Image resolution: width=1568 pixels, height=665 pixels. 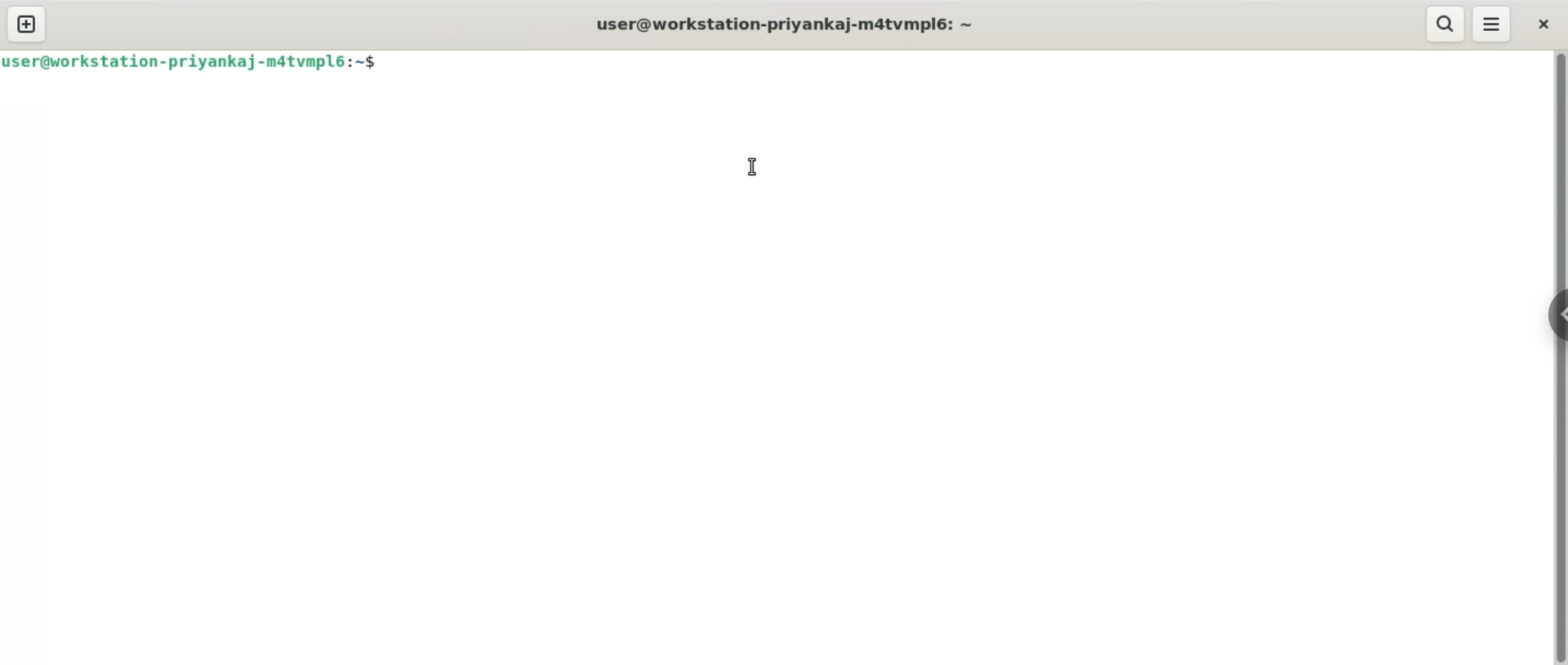 What do you see at coordinates (1446, 25) in the screenshot?
I see `search` at bounding box center [1446, 25].